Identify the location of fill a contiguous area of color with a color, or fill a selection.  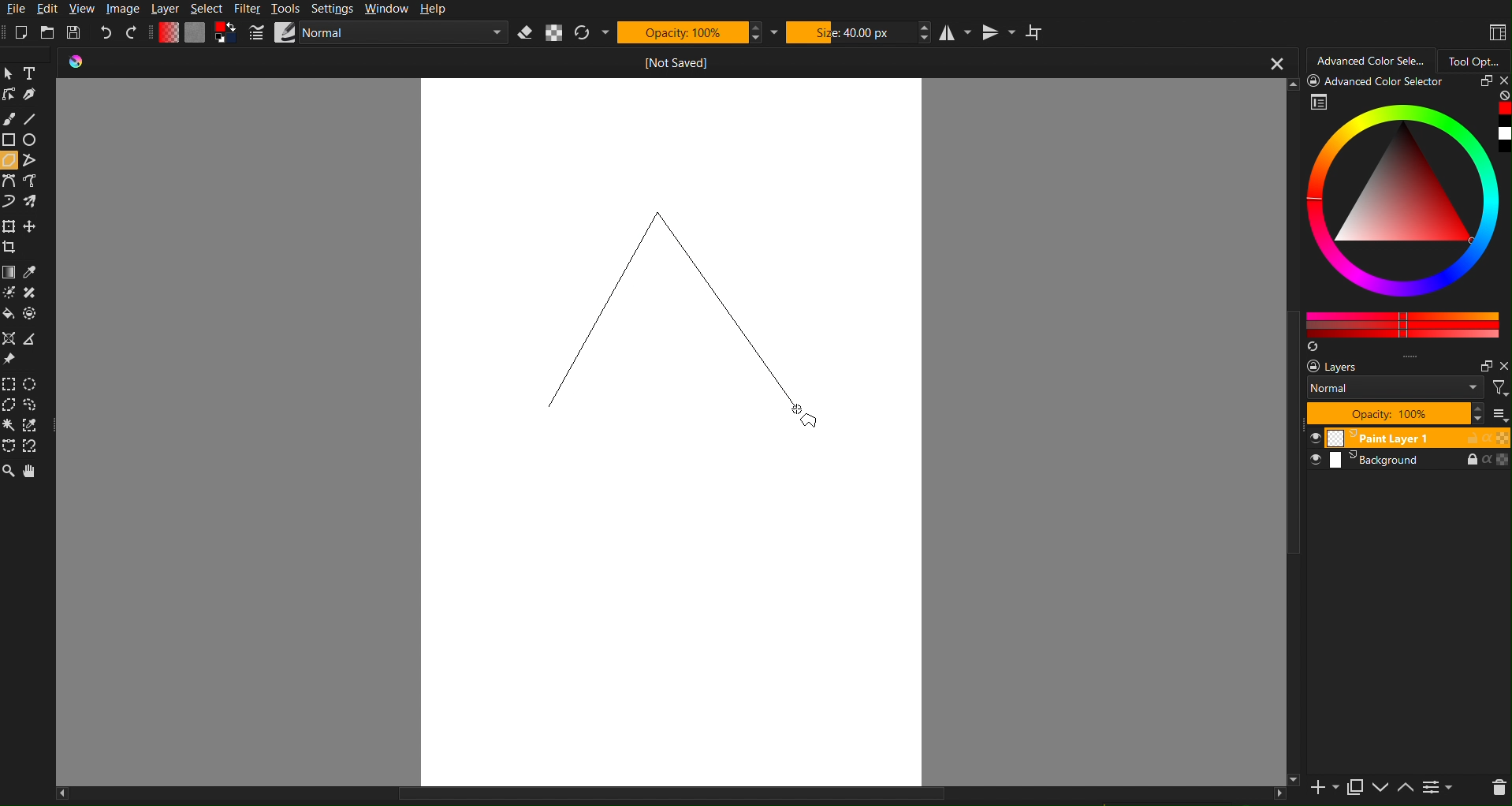
(9, 315).